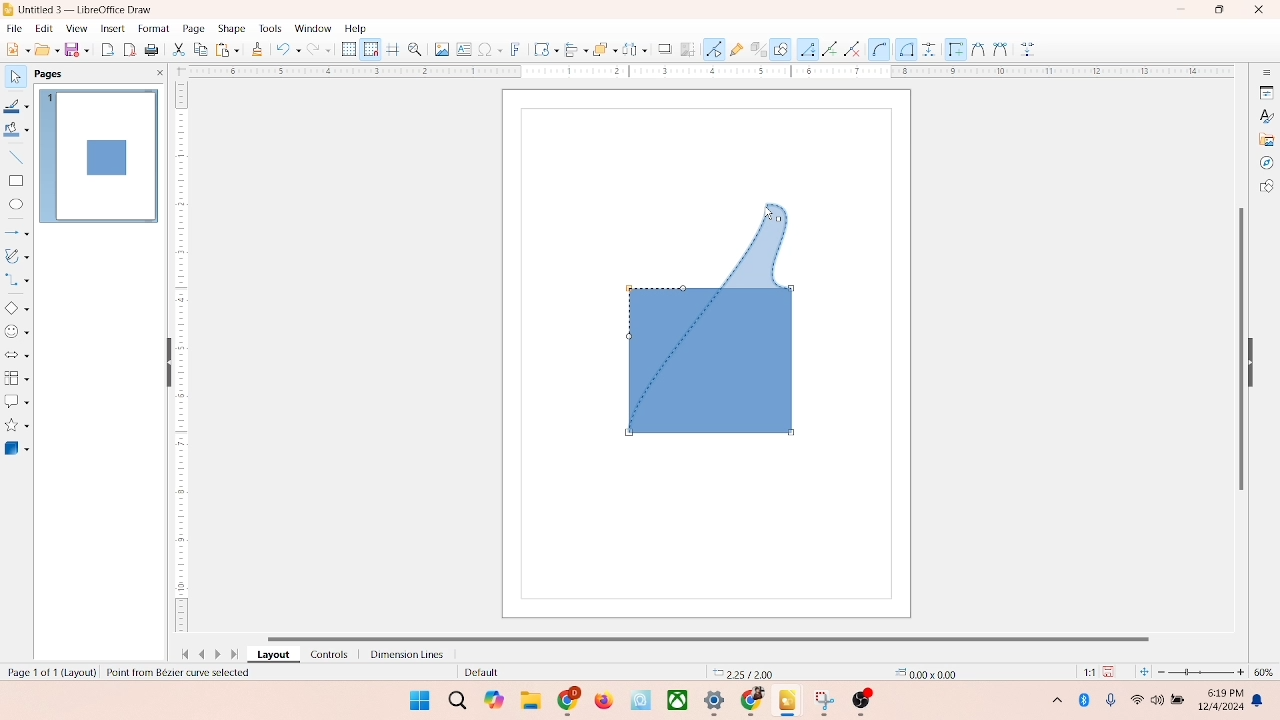  I want to click on close, so click(1254, 11).